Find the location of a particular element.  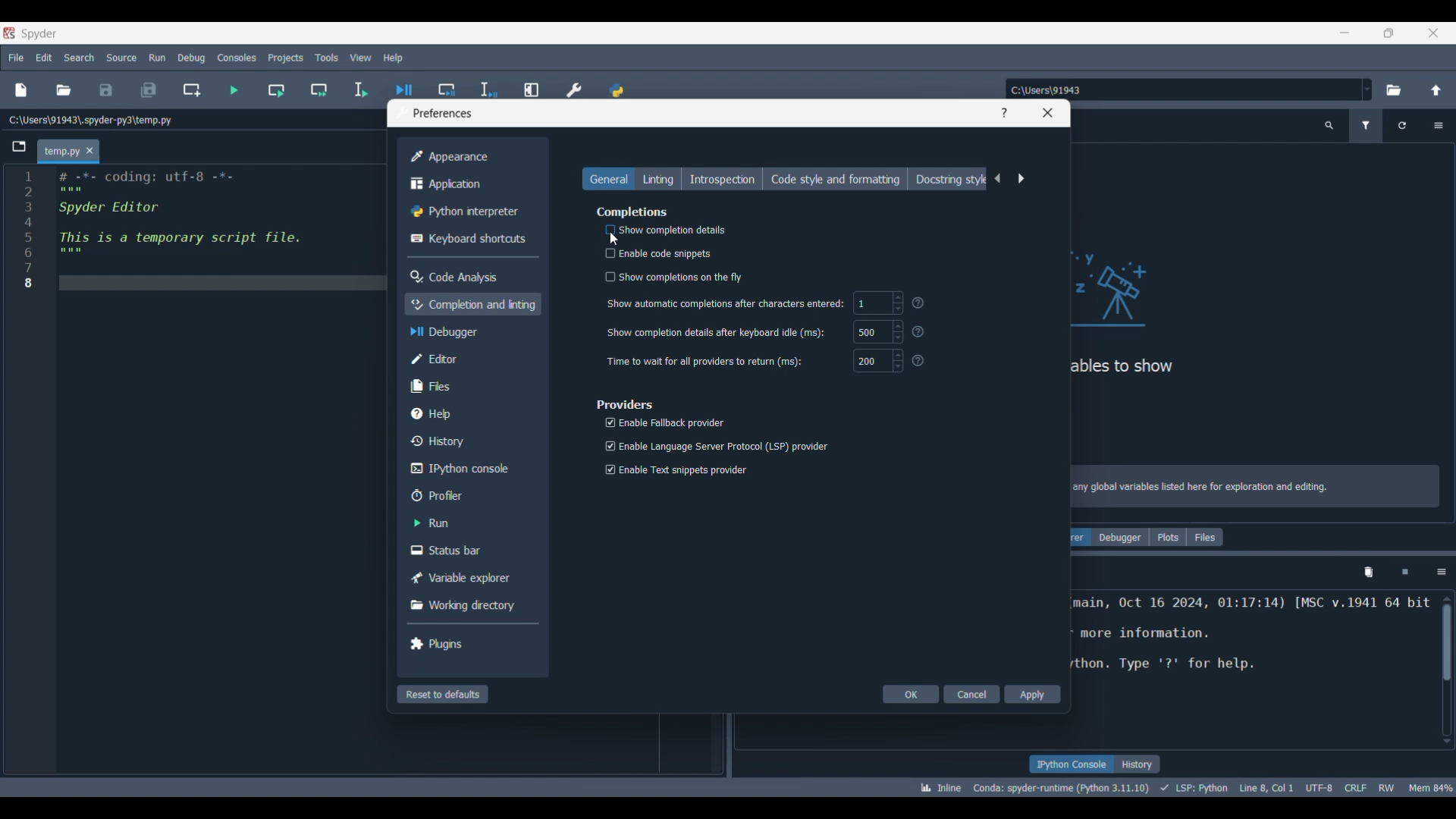

Remove variables from namespace is located at coordinates (1369, 573).